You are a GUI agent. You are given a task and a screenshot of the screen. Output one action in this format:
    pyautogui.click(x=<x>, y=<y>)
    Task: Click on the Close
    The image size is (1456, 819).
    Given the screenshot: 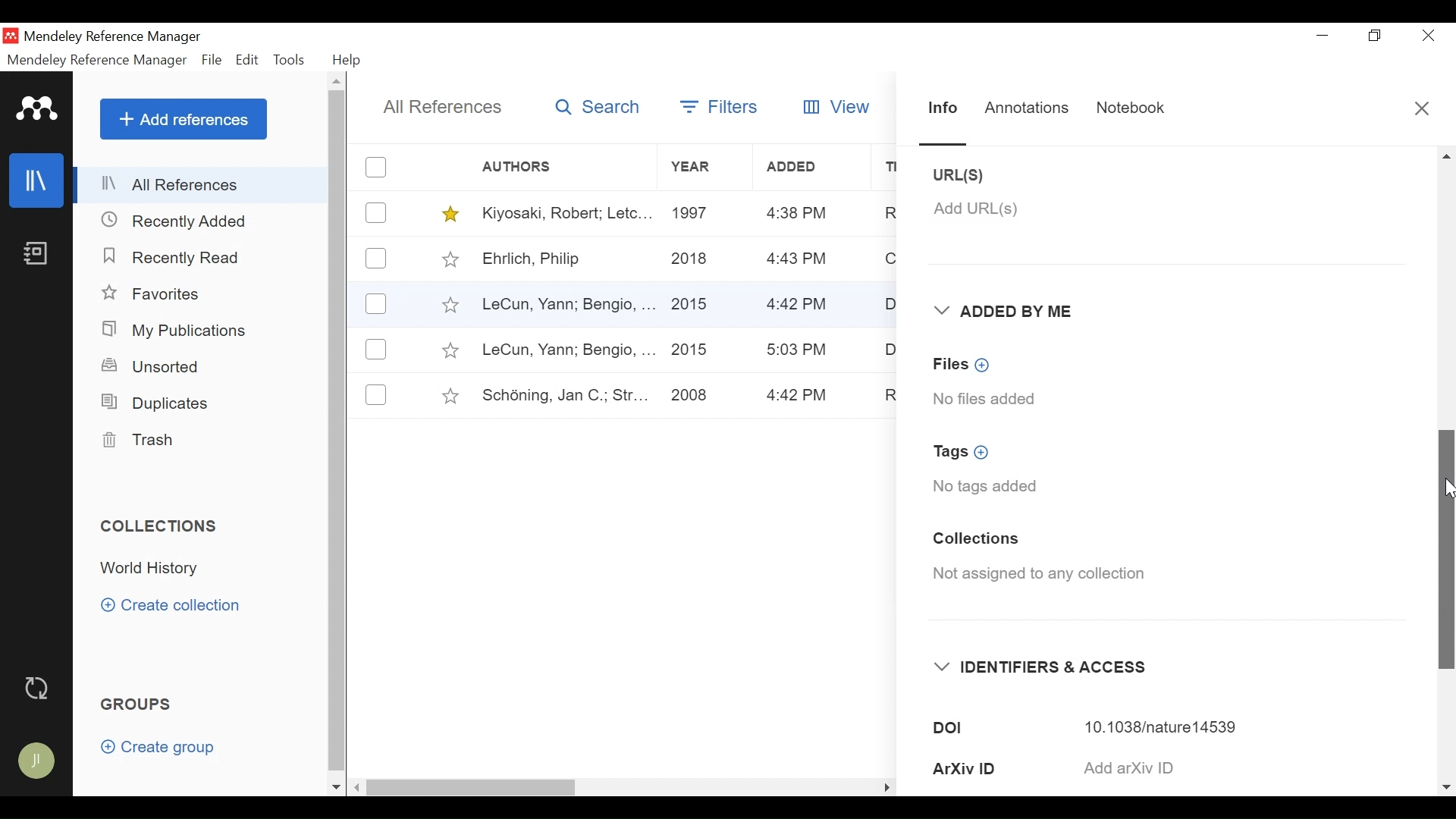 What is the action you would take?
    pyautogui.click(x=1423, y=112)
    